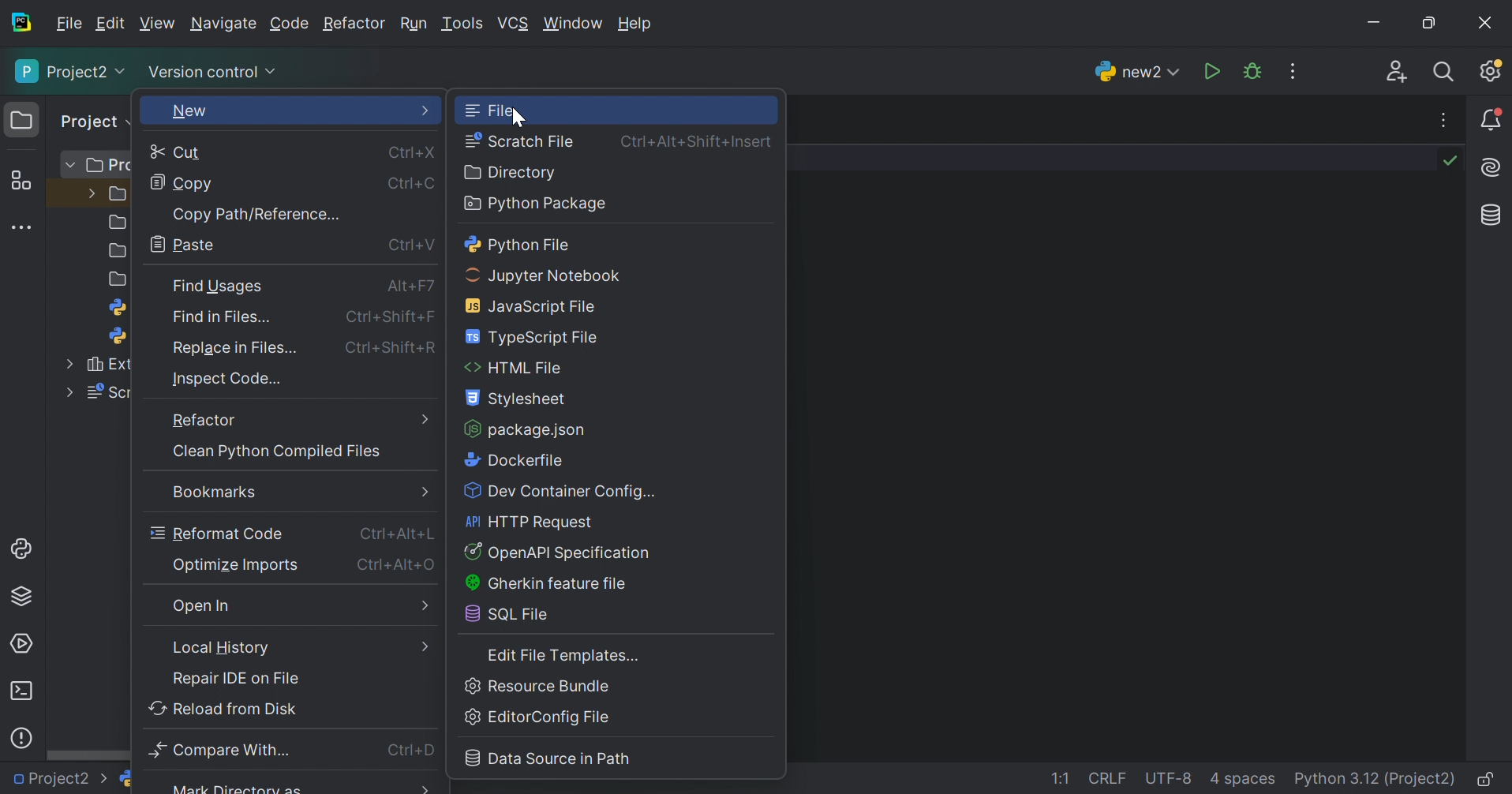 The height and width of the screenshot is (794, 1512). I want to click on Reload from disk, so click(223, 707).